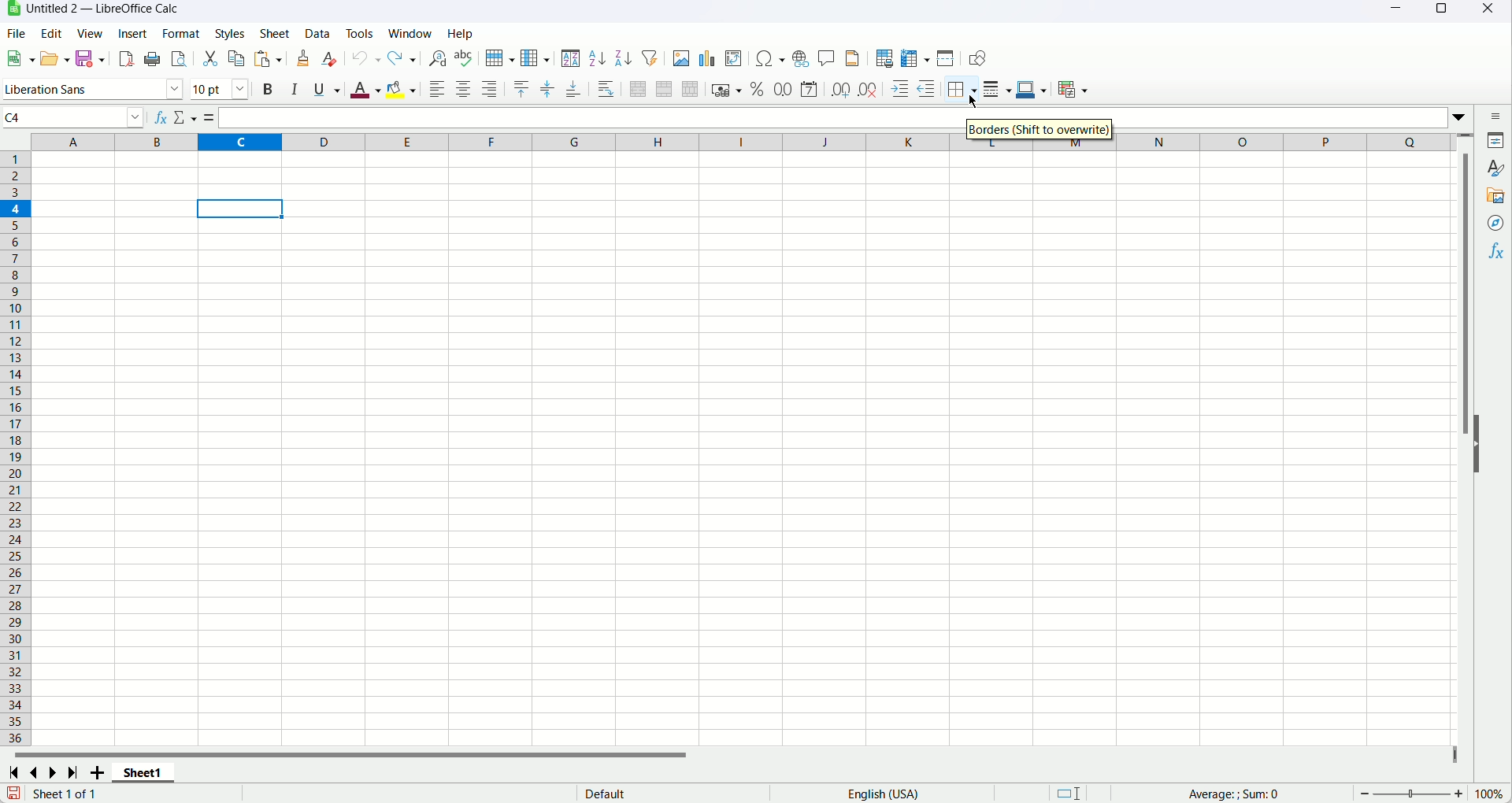 This screenshot has width=1512, height=803. Describe the element at coordinates (1462, 116) in the screenshot. I see `Expand formula bar` at that location.